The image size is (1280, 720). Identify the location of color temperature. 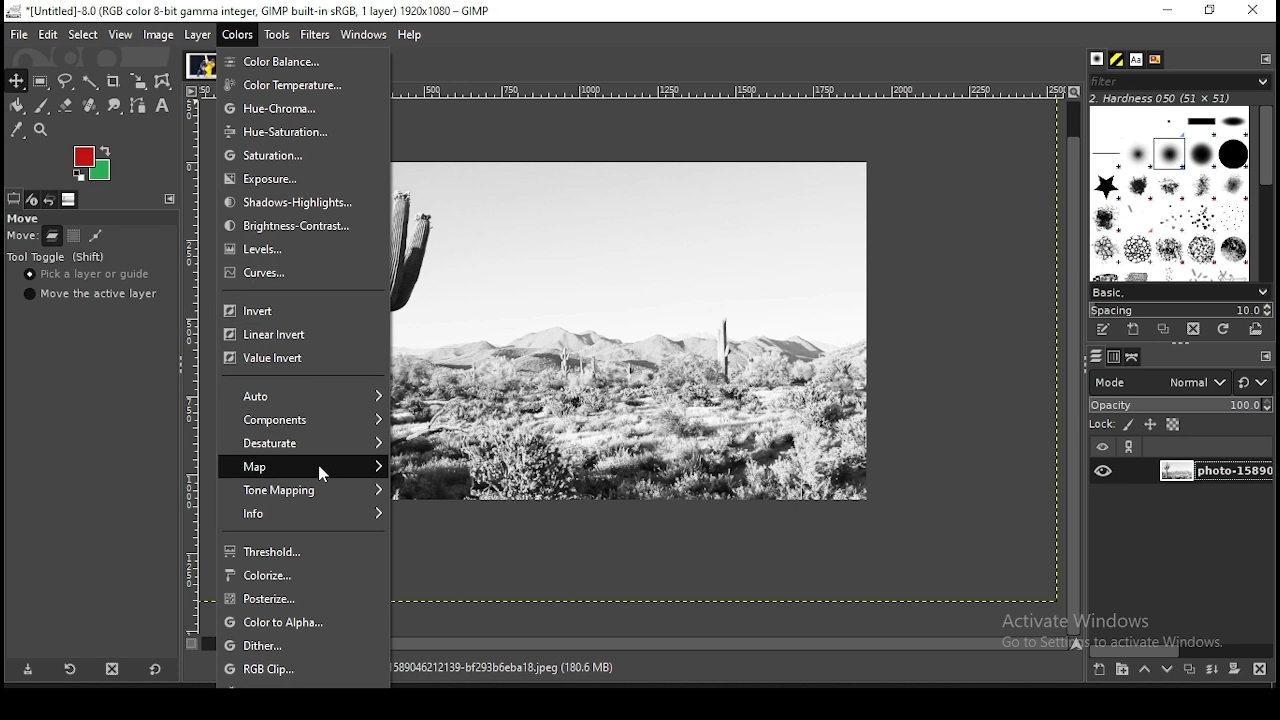
(285, 85).